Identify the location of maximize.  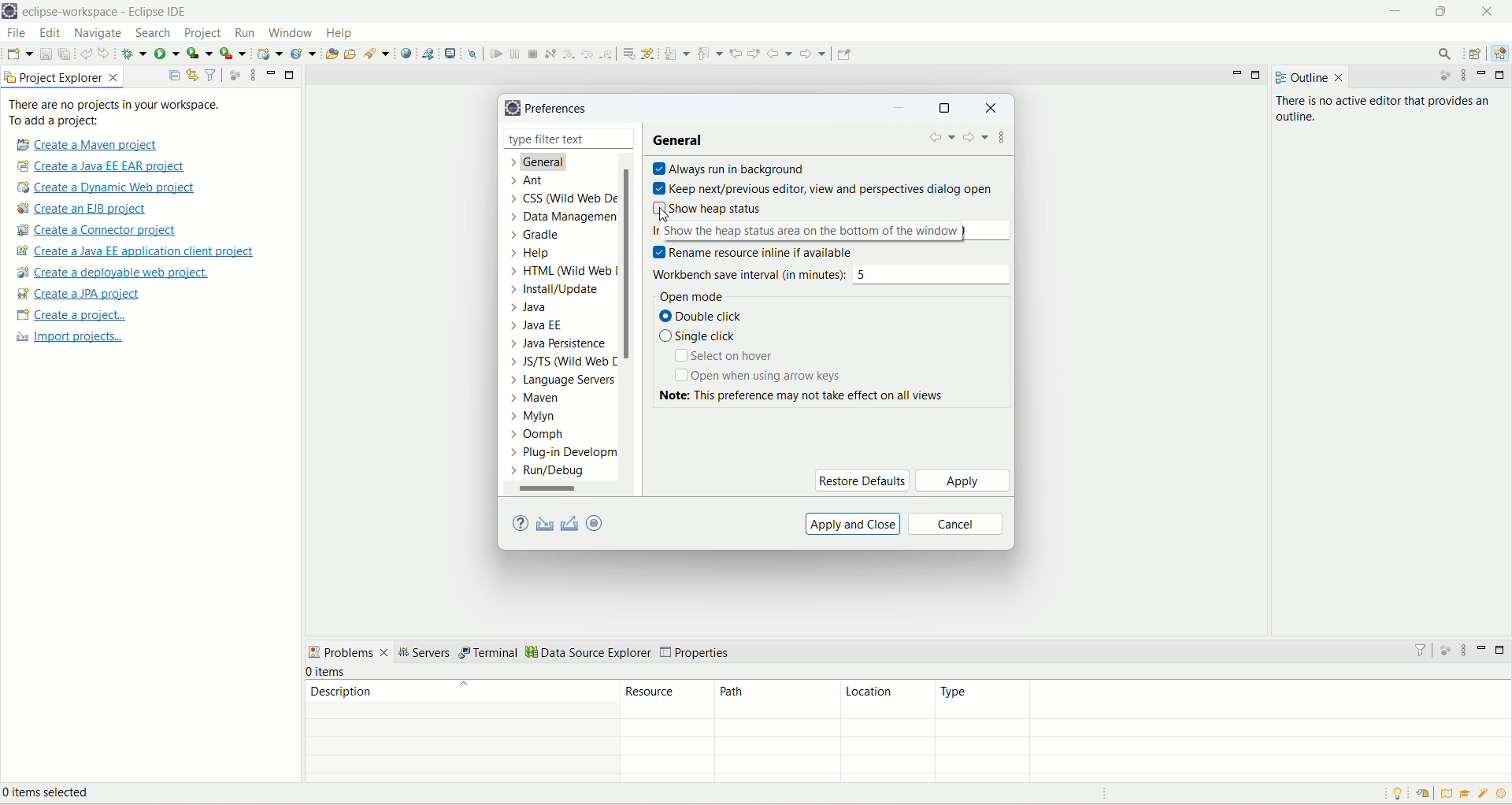
(1259, 76).